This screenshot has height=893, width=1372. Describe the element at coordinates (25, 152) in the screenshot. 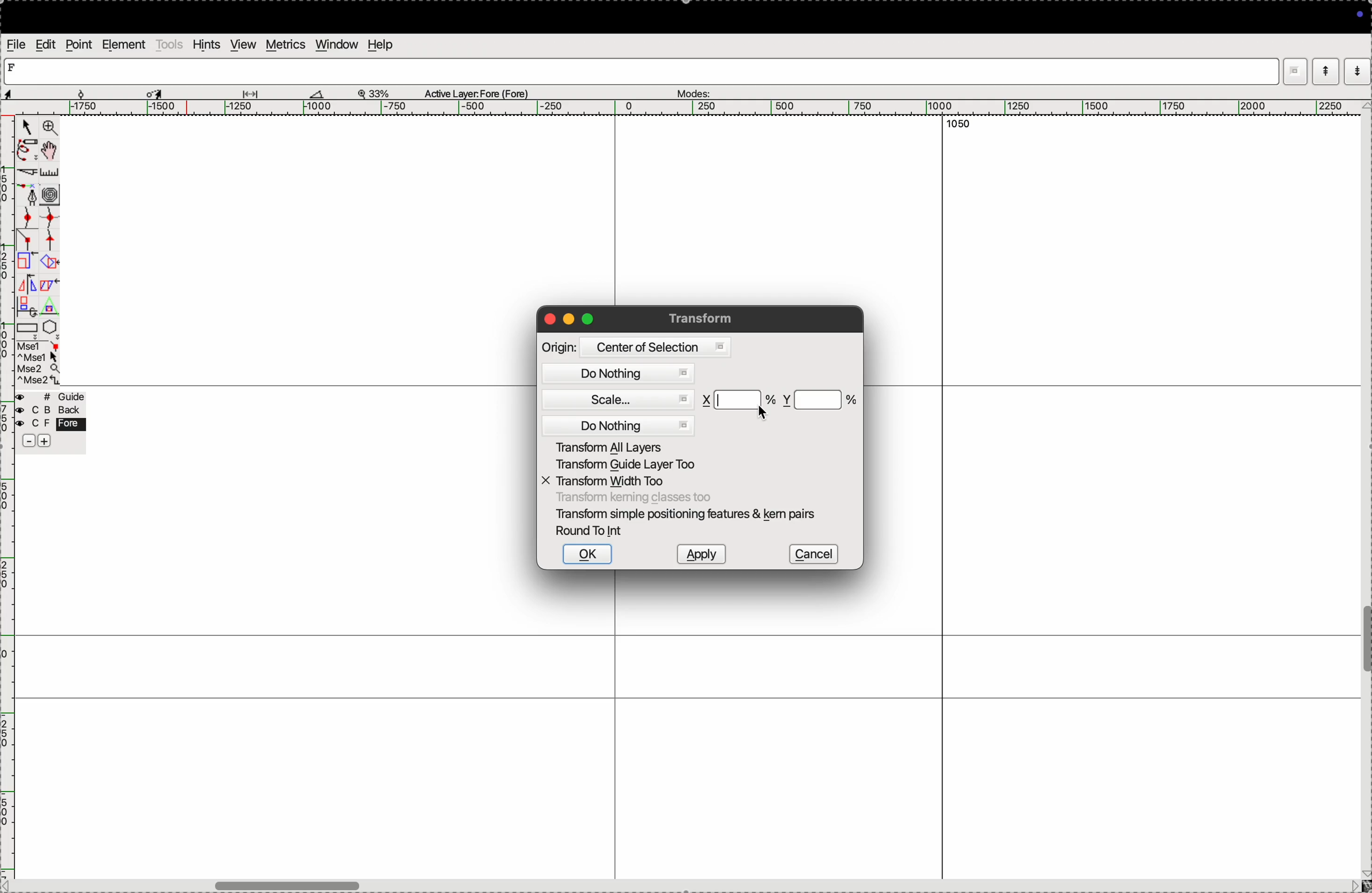

I see `pen` at that location.